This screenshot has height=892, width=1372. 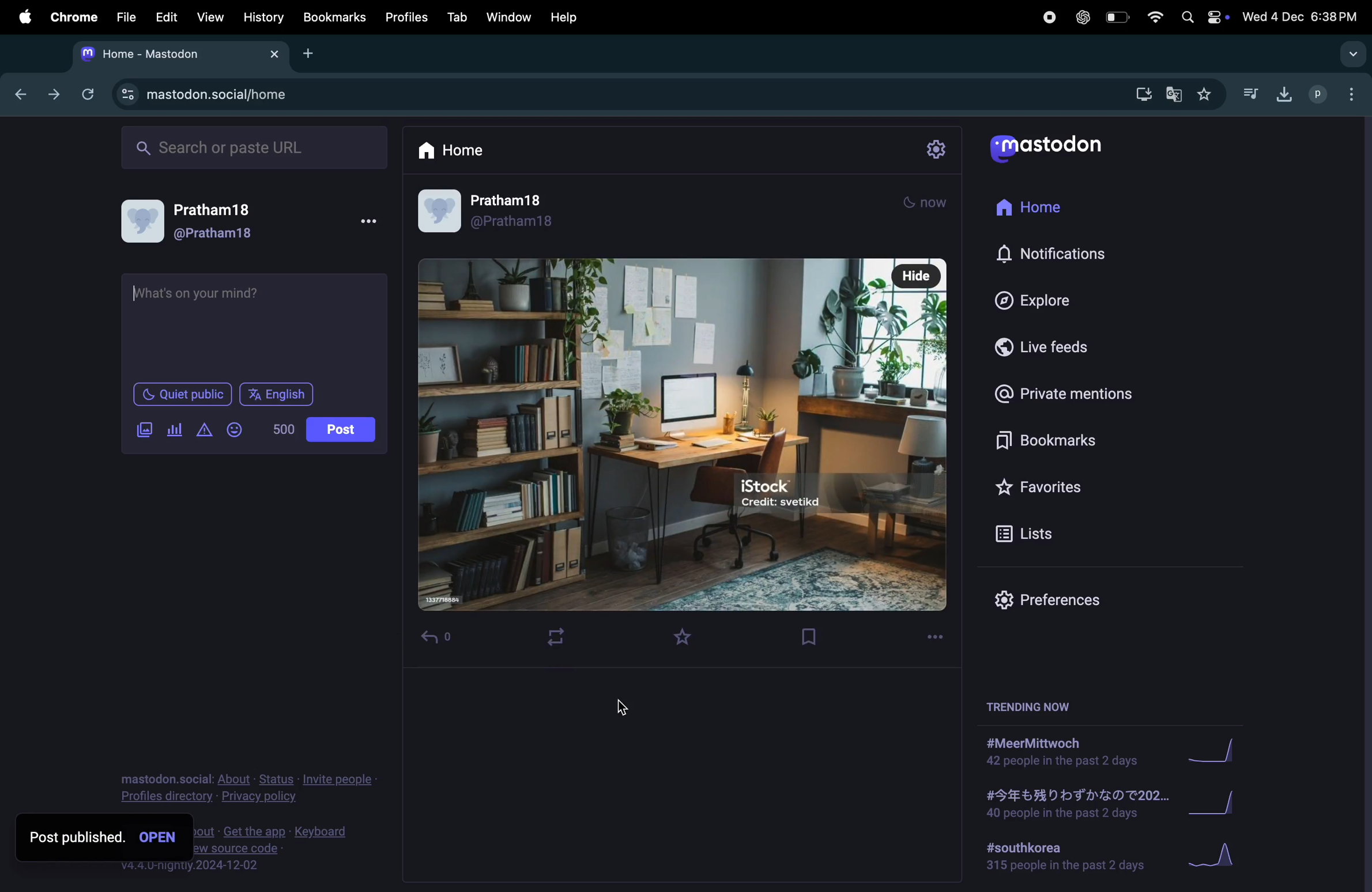 What do you see at coordinates (71, 19) in the screenshot?
I see `chrome` at bounding box center [71, 19].